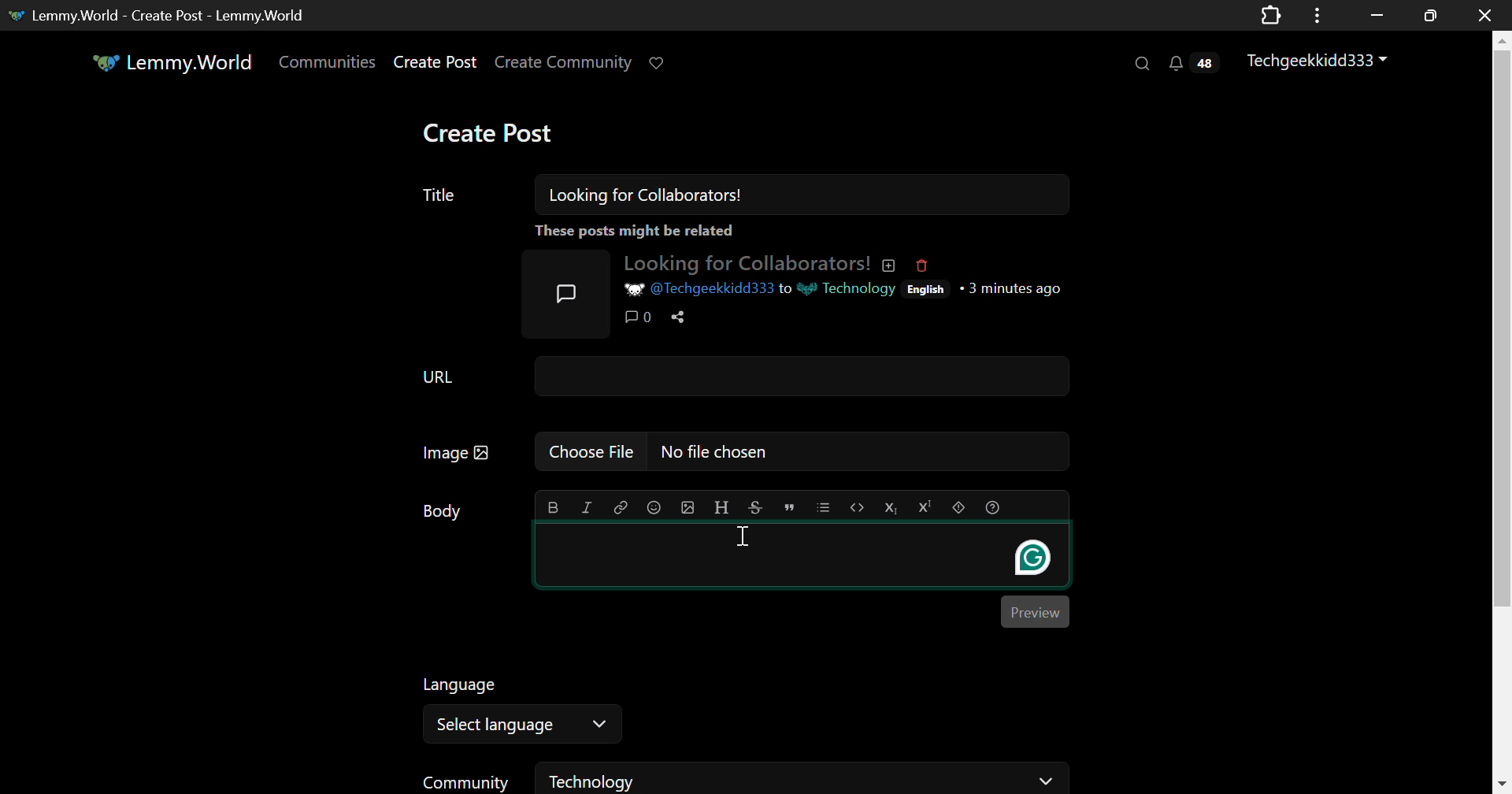  What do you see at coordinates (523, 725) in the screenshot?
I see `Select Language` at bounding box center [523, 725].